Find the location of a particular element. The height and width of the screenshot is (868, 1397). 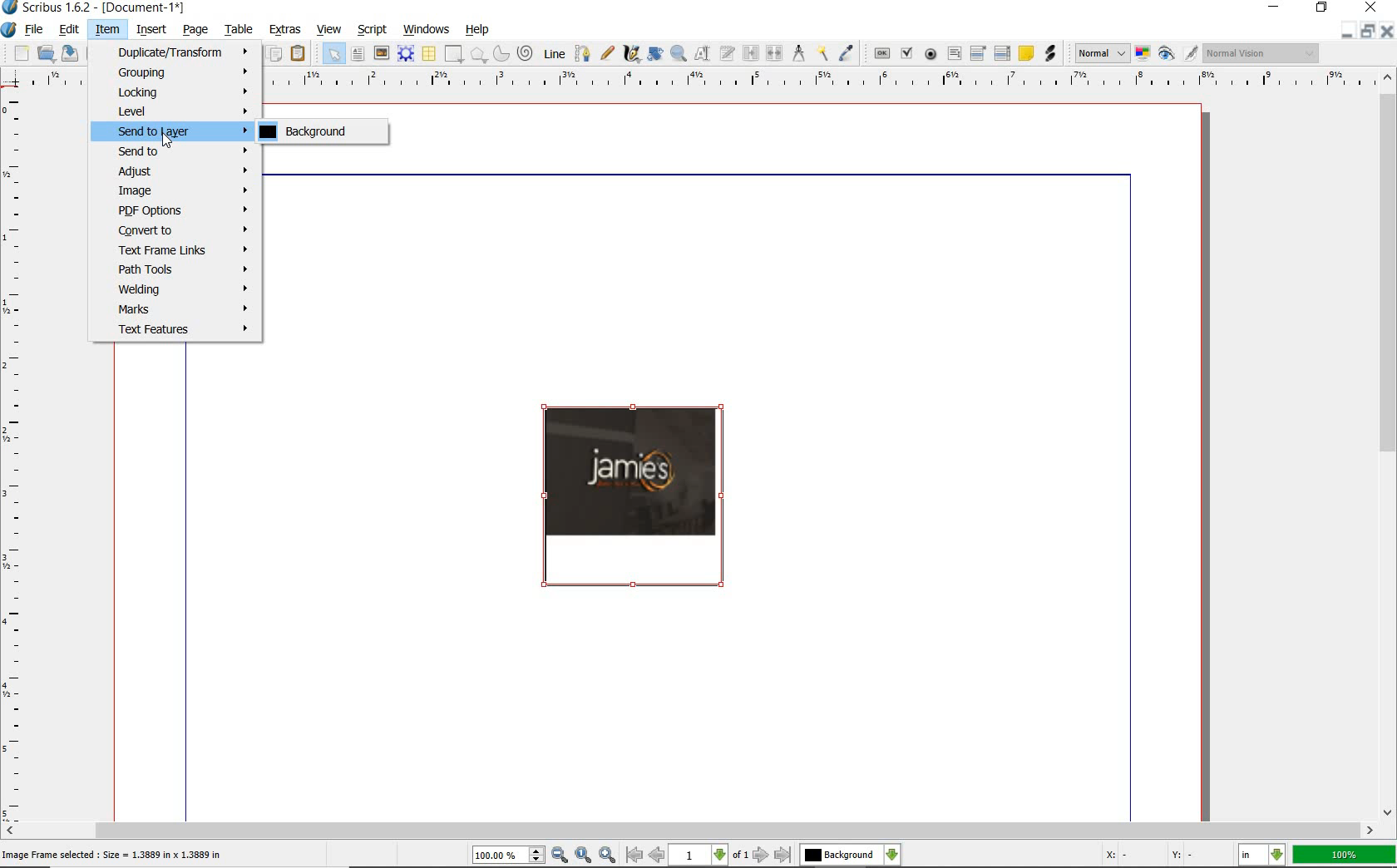

edit contents of frame is located at coordinates (704, 53).